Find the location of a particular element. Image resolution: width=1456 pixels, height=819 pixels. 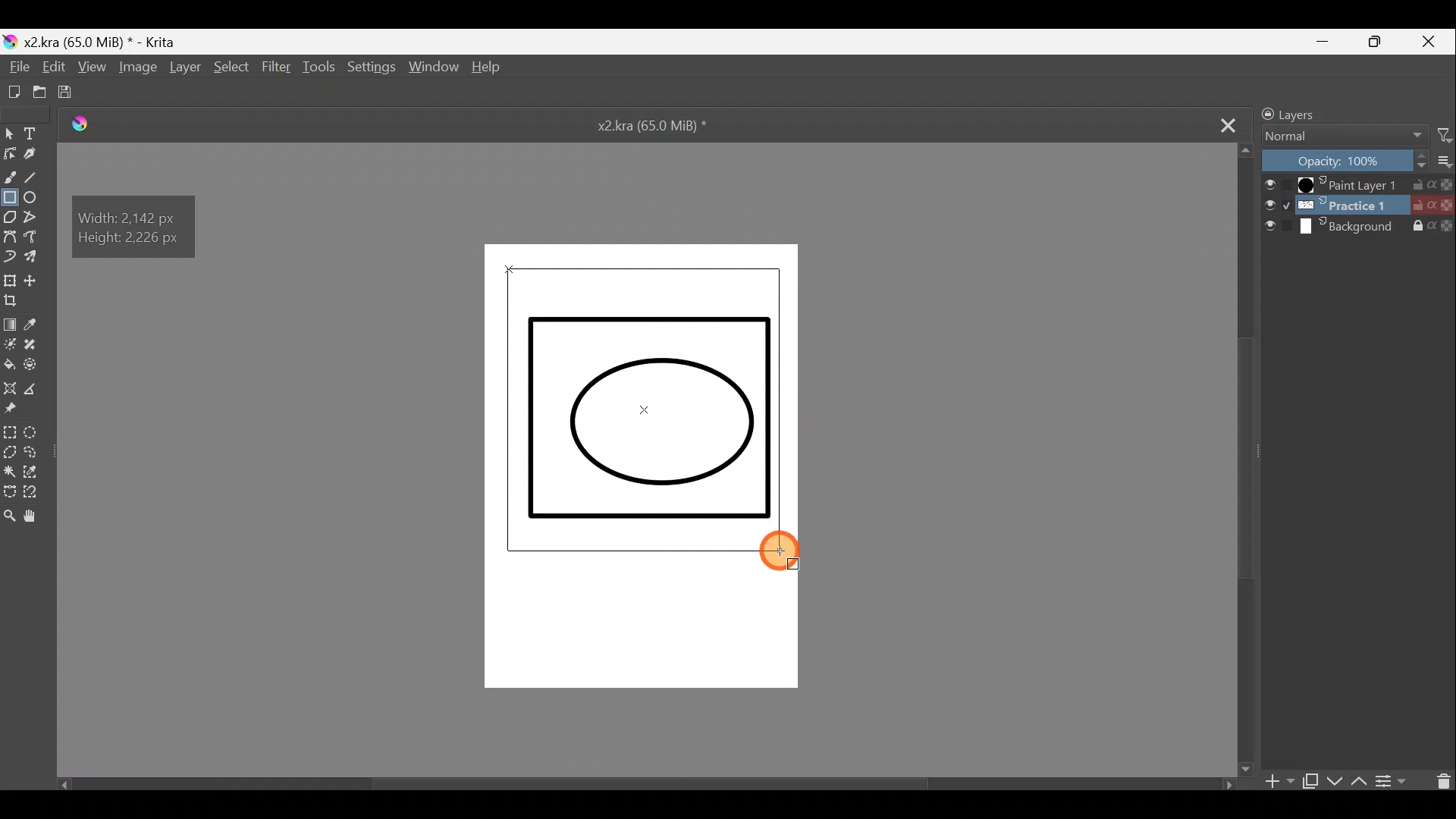

Layer is located at coordinates (184, 70).